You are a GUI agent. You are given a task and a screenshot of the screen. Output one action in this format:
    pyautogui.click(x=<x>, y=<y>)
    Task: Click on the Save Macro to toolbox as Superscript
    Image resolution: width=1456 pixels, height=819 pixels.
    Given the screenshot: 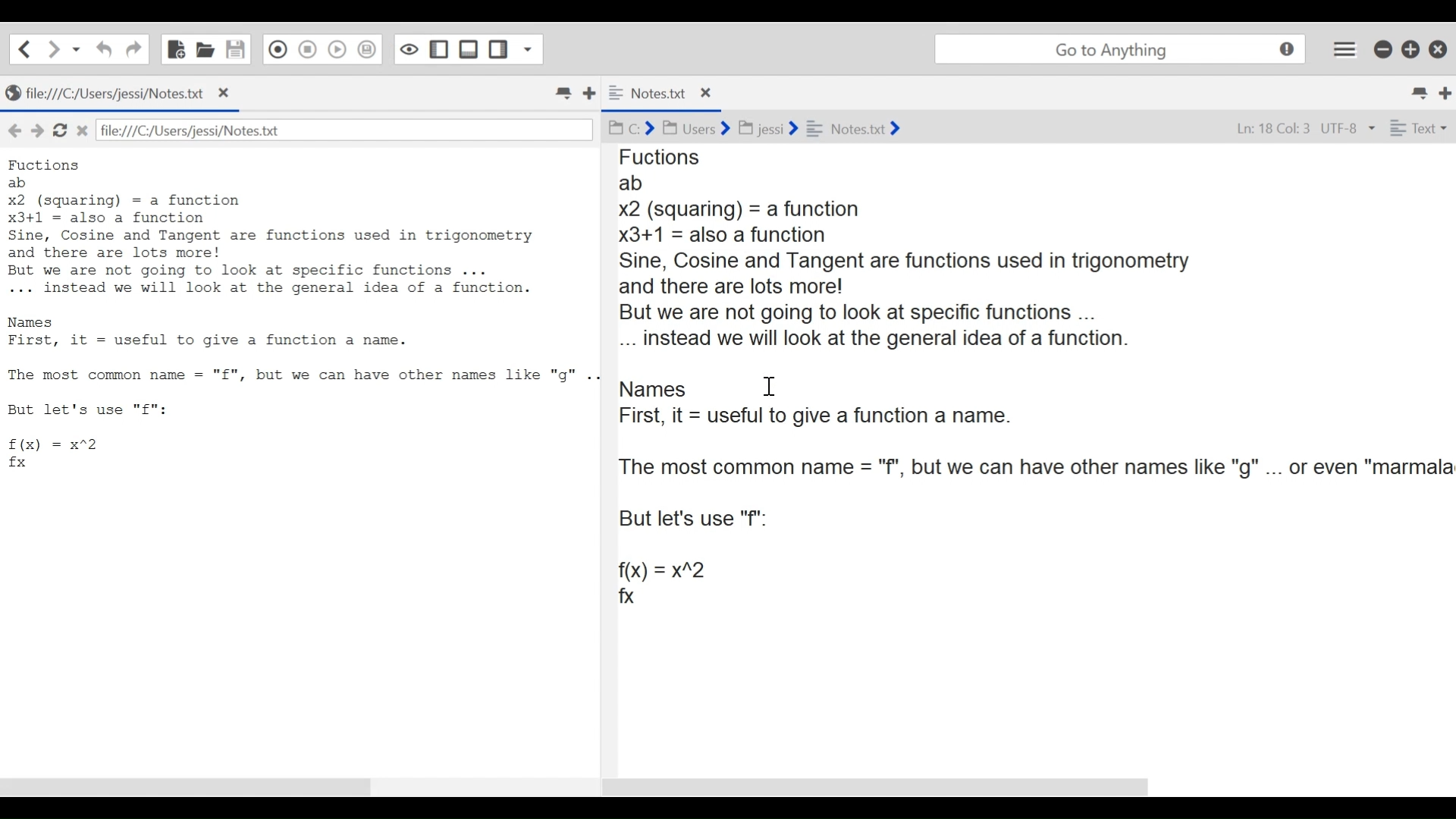 What is the action you would take?
    pyautogui.click(x=367, y=50)
    